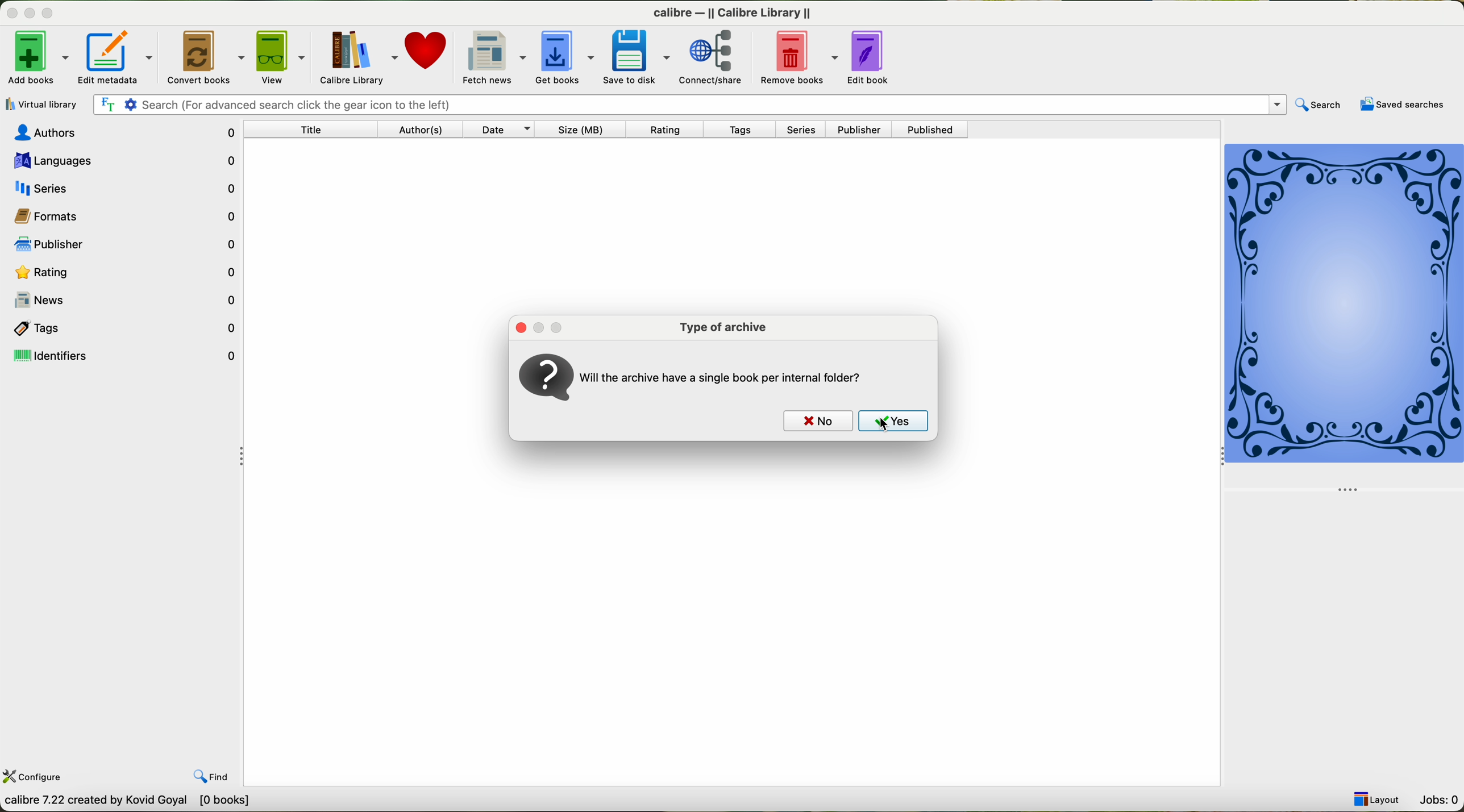 This screenshot has height=812, width=1464. I want to click on calibre-II Callibre Library II, so click(728, 11).